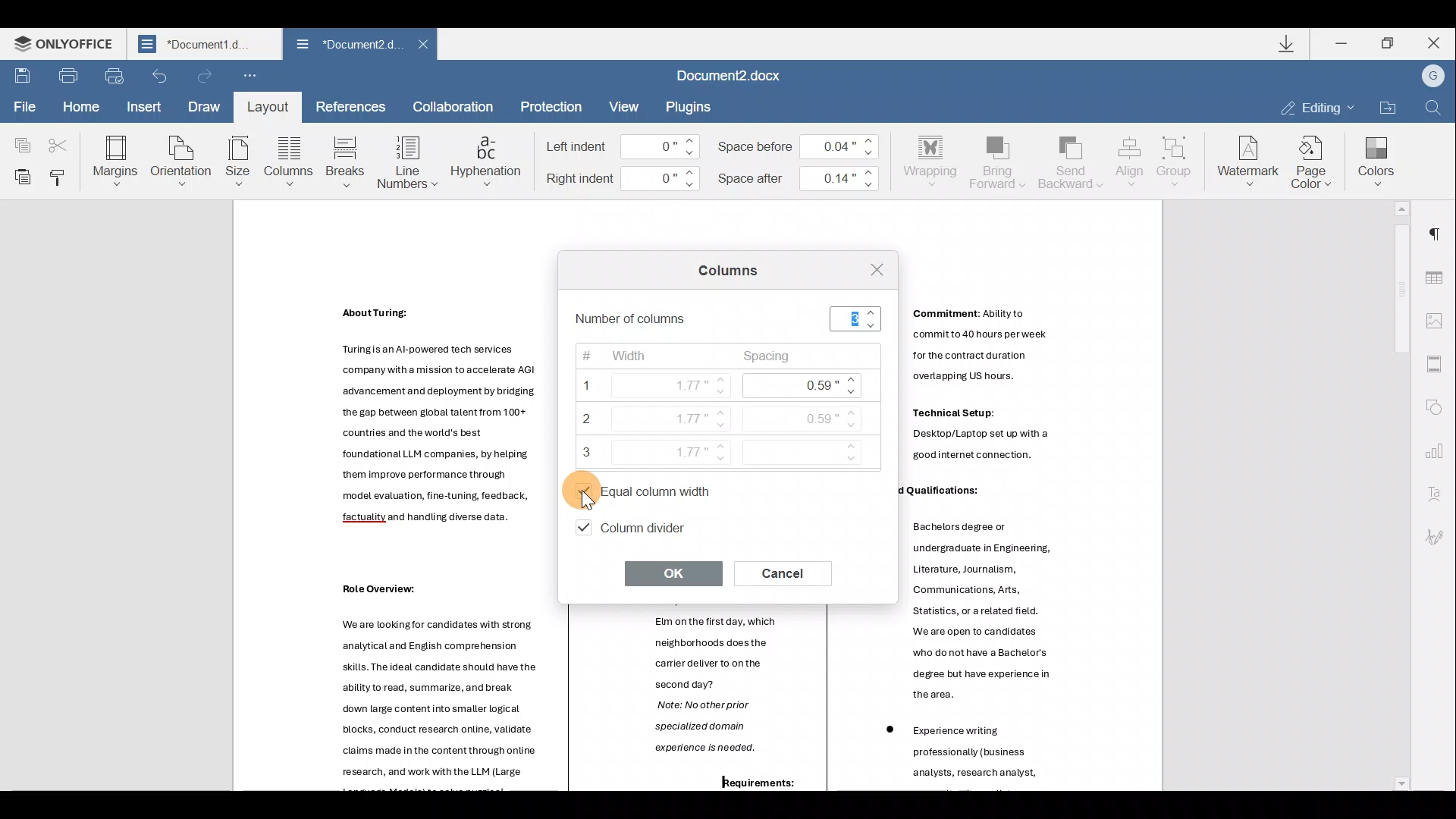 The width and height of the screenshot is (1456, 819). I want to click on Group, so click(1177, 157).